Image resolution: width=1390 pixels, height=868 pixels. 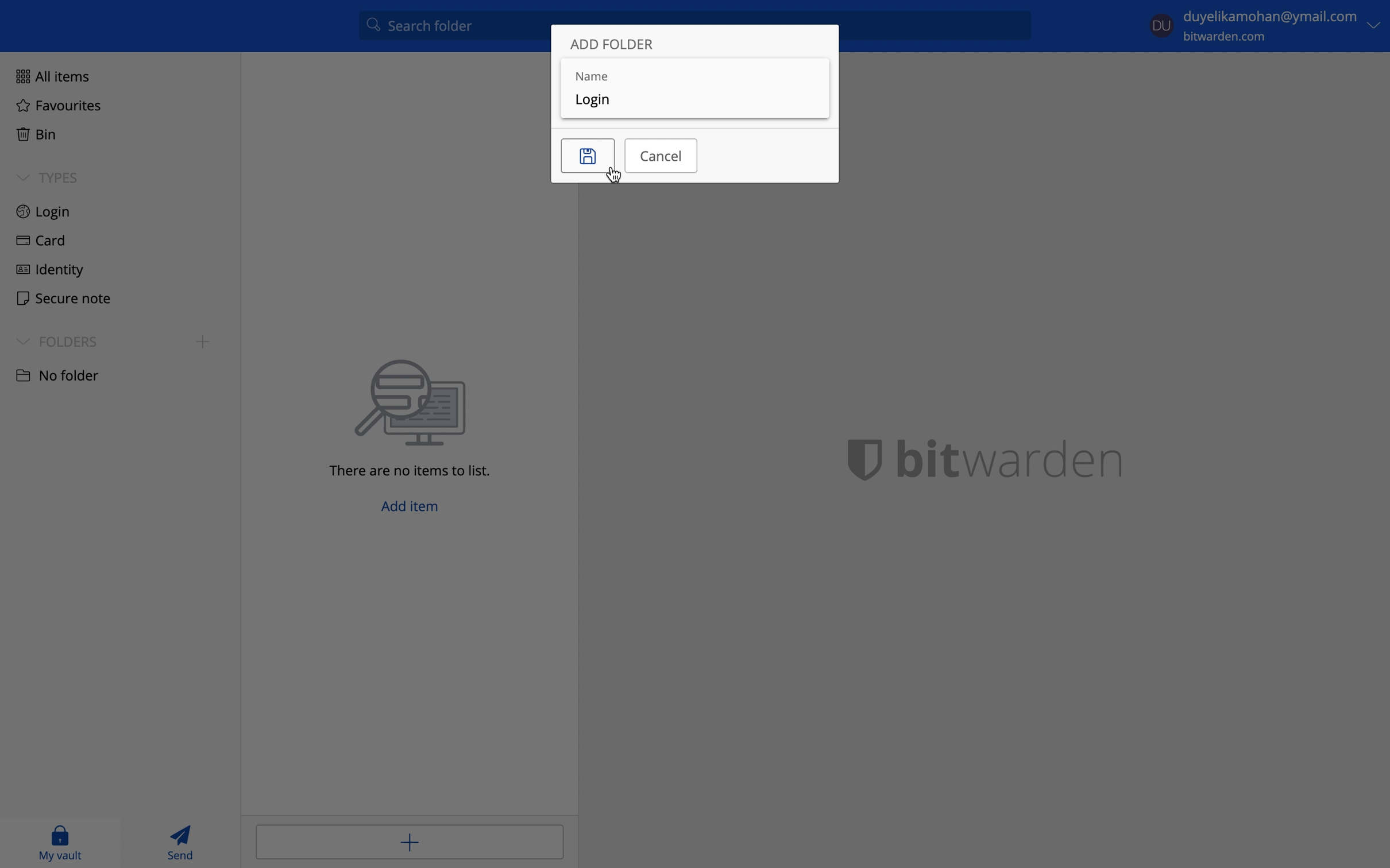 I want to click on add item, so click(x=413, y=510).